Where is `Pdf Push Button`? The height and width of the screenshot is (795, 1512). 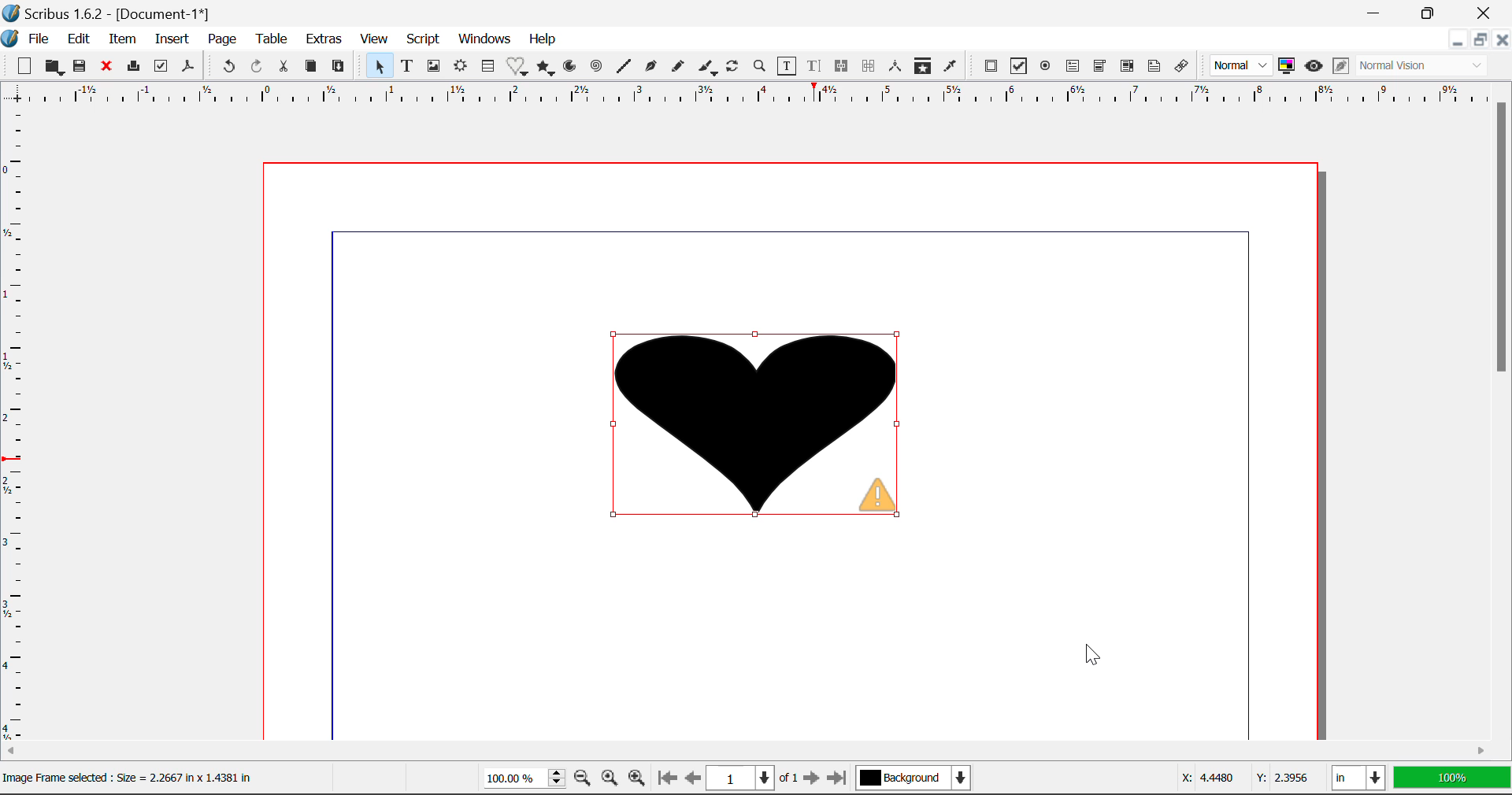 Pdf Push Button is located at coordinates (991, 66).